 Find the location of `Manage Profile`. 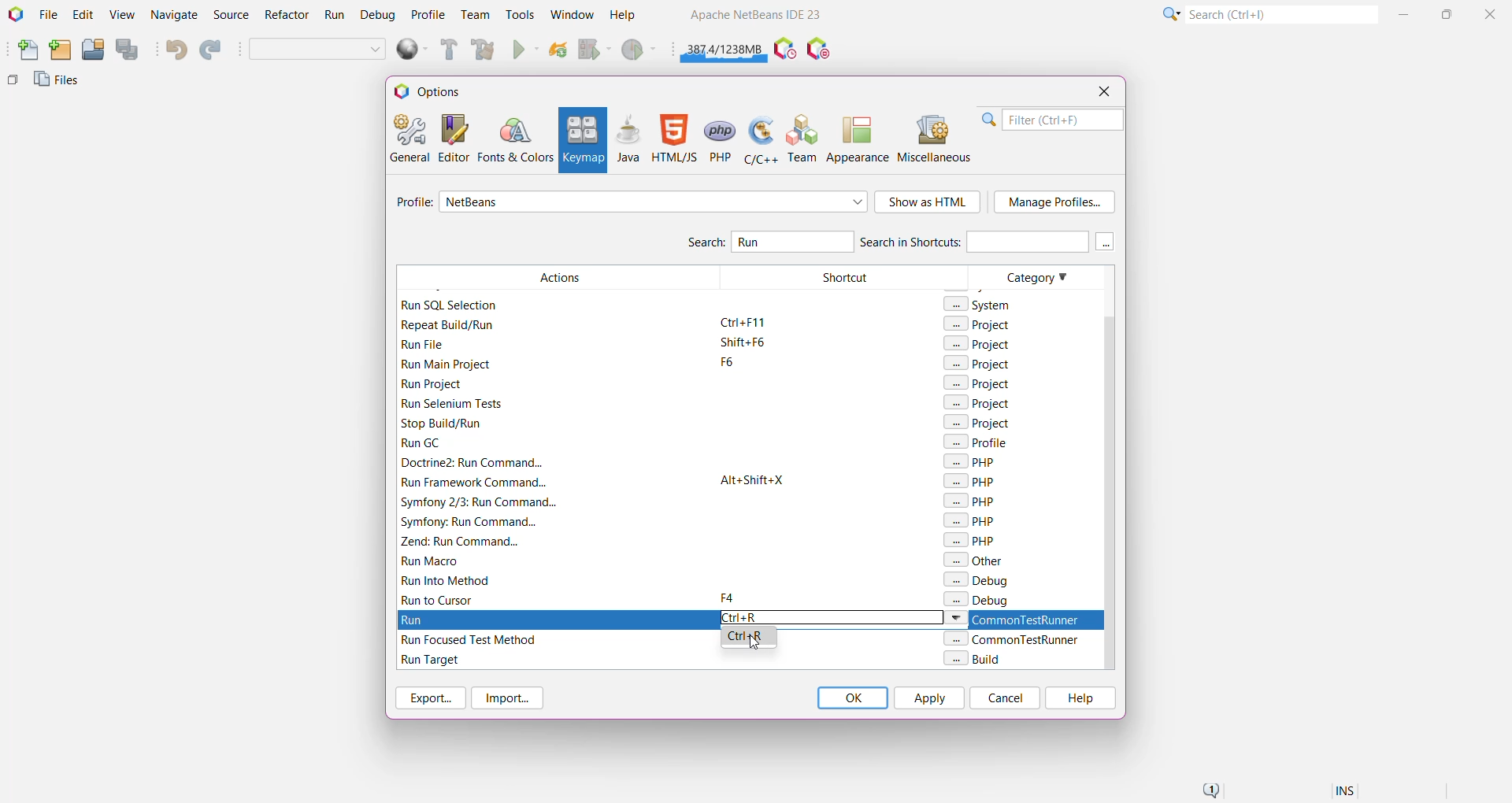

Manage Profile is located at coordinates (1054, 202).